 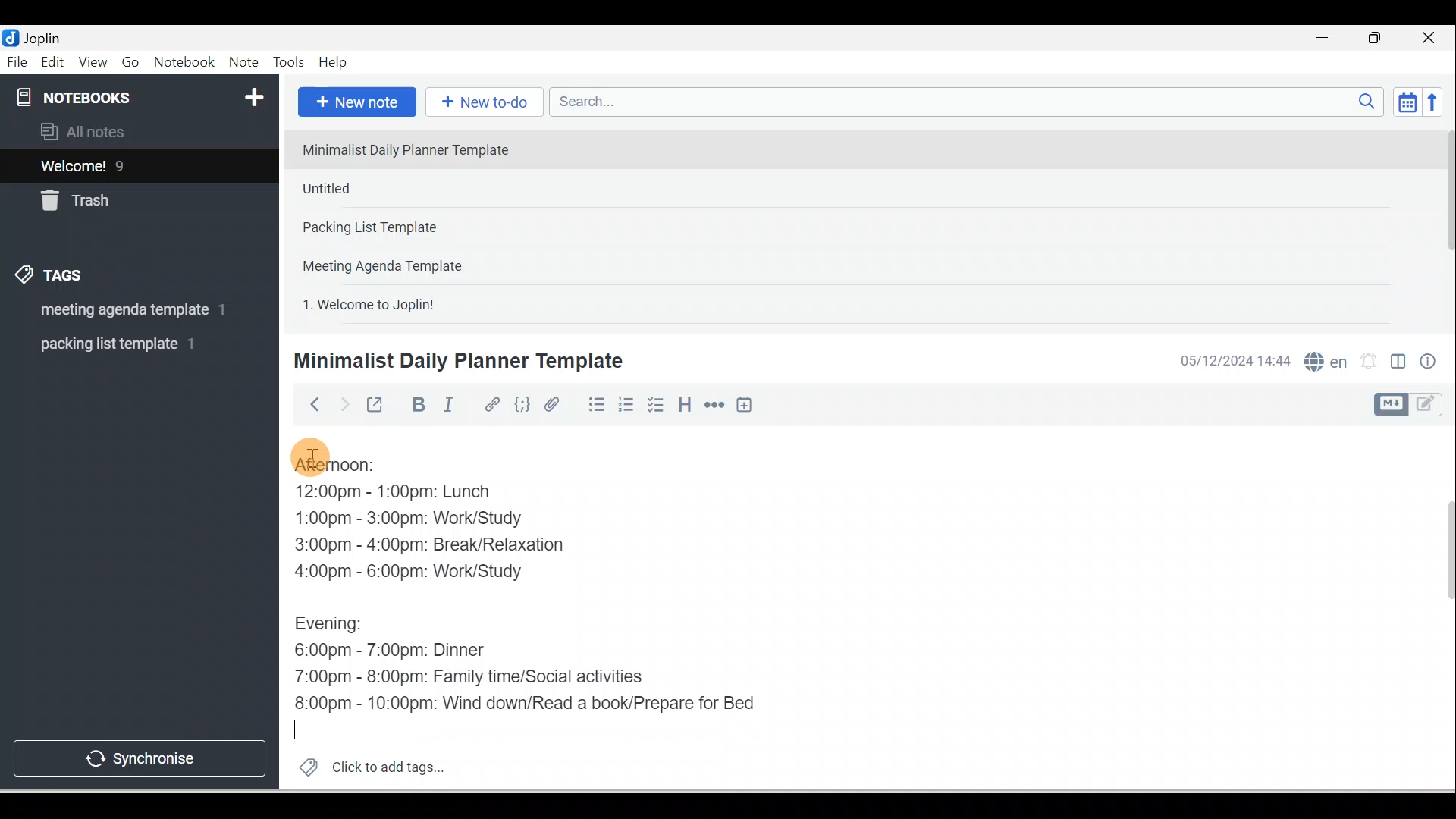 What do you see at coordinates (366, 765) in the screenshot?
I see `Click to add tags` at bounding box center [366, 765].